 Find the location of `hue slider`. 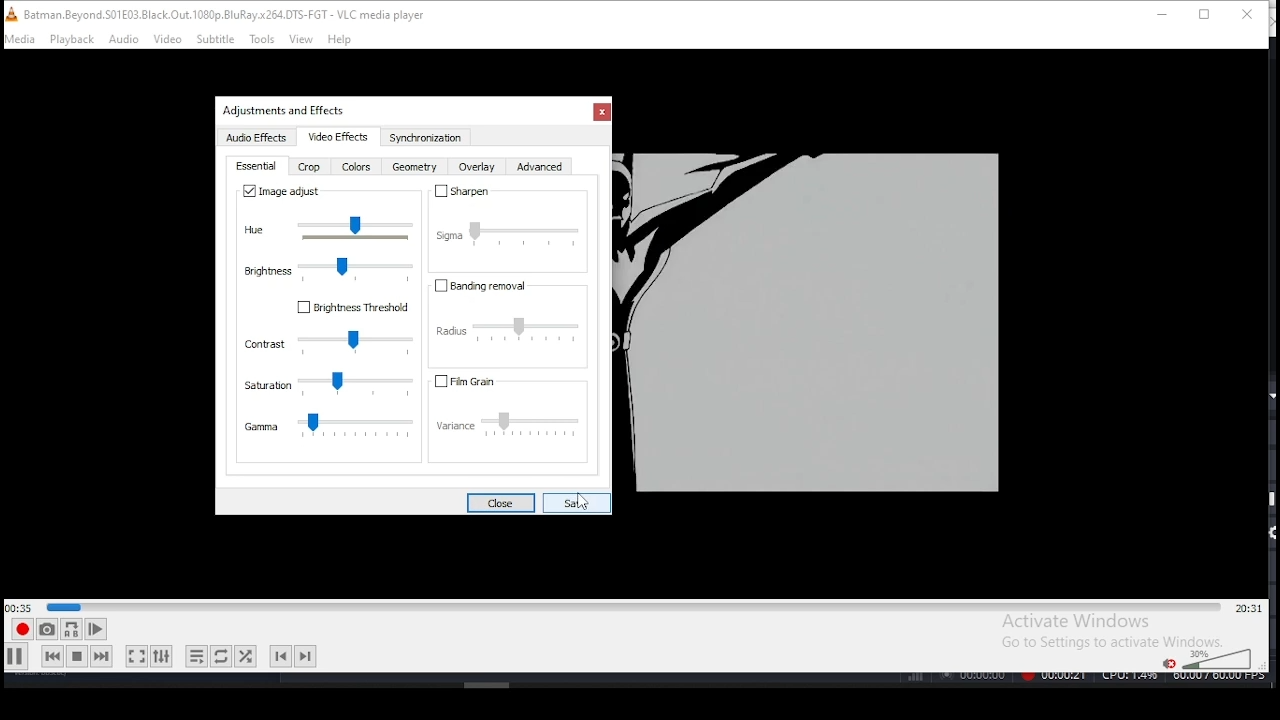

hue slider is located at coordinates (331, 228).